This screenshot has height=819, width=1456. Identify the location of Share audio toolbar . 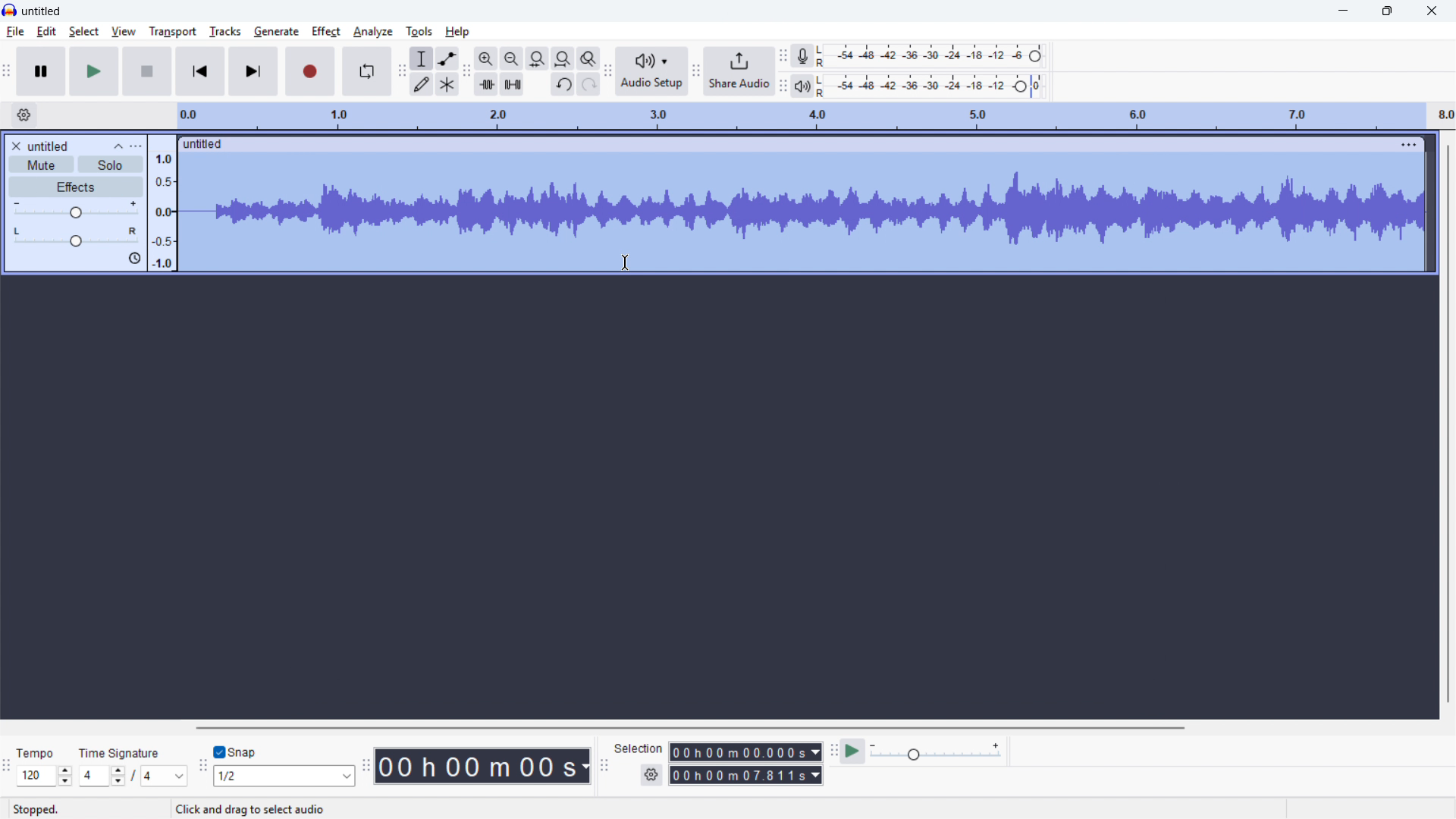
(695, 72).